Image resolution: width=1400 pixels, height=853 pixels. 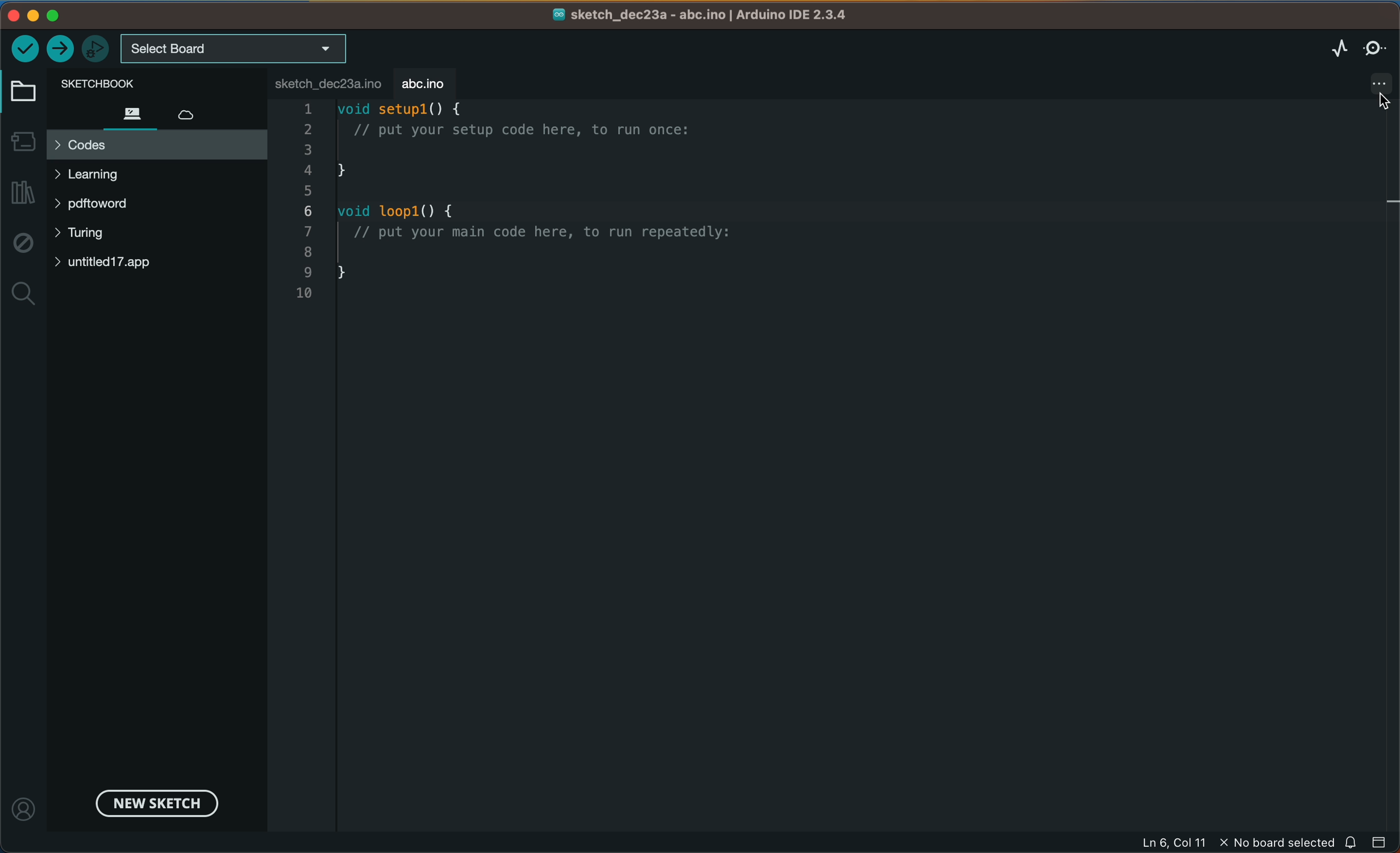 I want to click on search, so click(x=21, y=290).